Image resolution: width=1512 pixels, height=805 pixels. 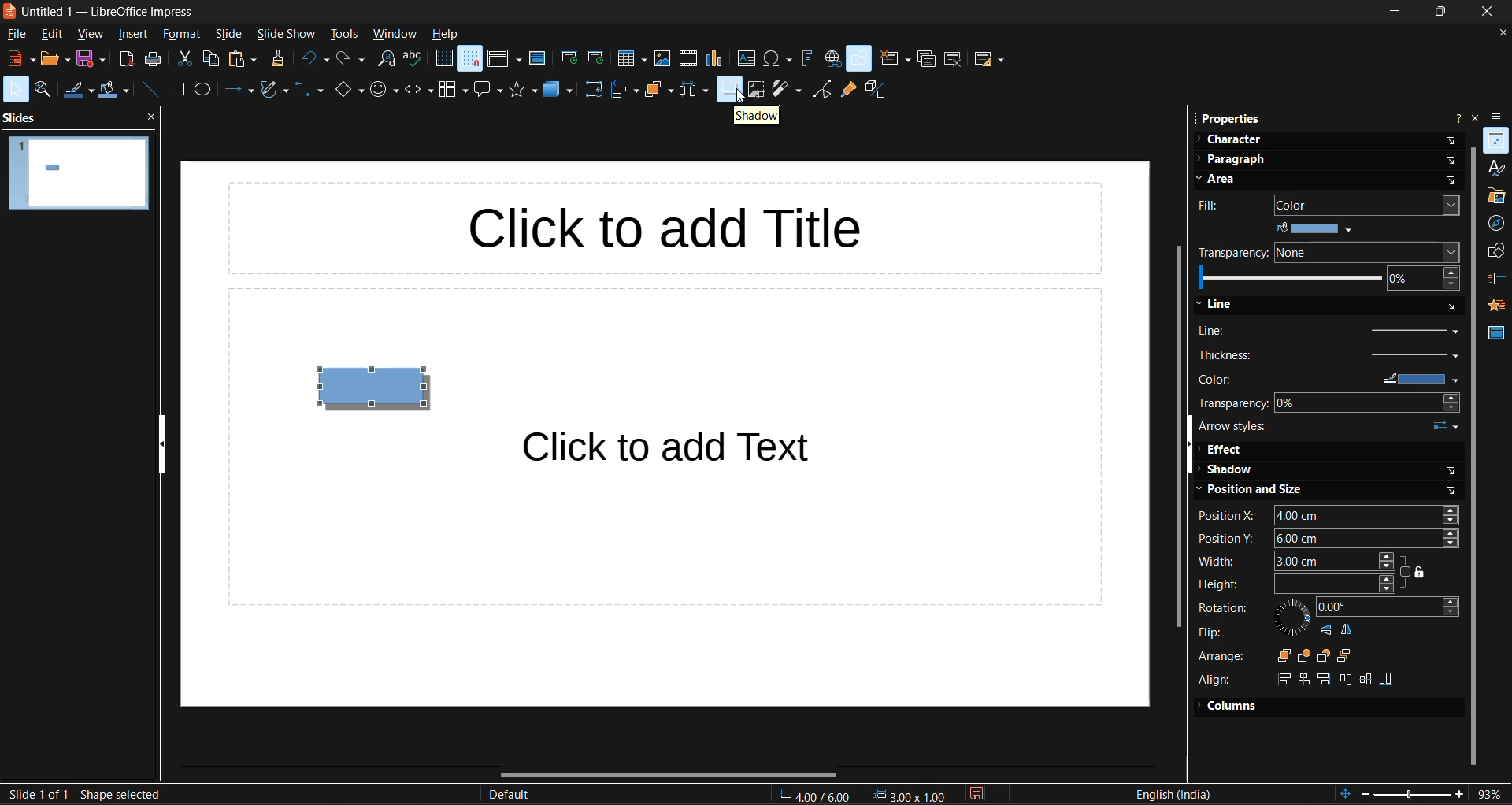 What do you see at coordinates (36, 792) in the screenshot?
I see `slide 1 of 1` at bounding box center [36, 792].